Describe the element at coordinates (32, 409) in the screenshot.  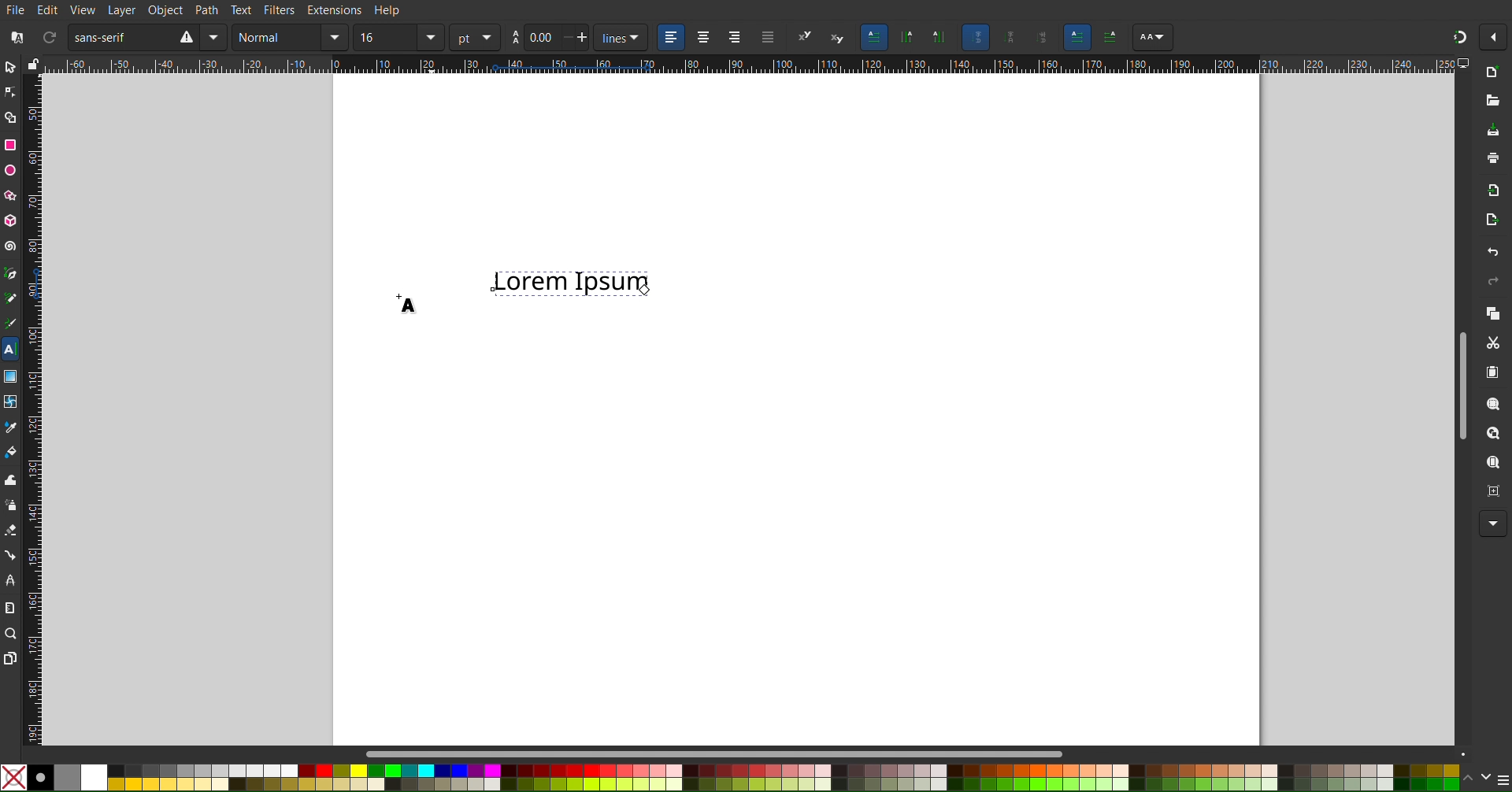
I see `Vertical Ruler` at that location.